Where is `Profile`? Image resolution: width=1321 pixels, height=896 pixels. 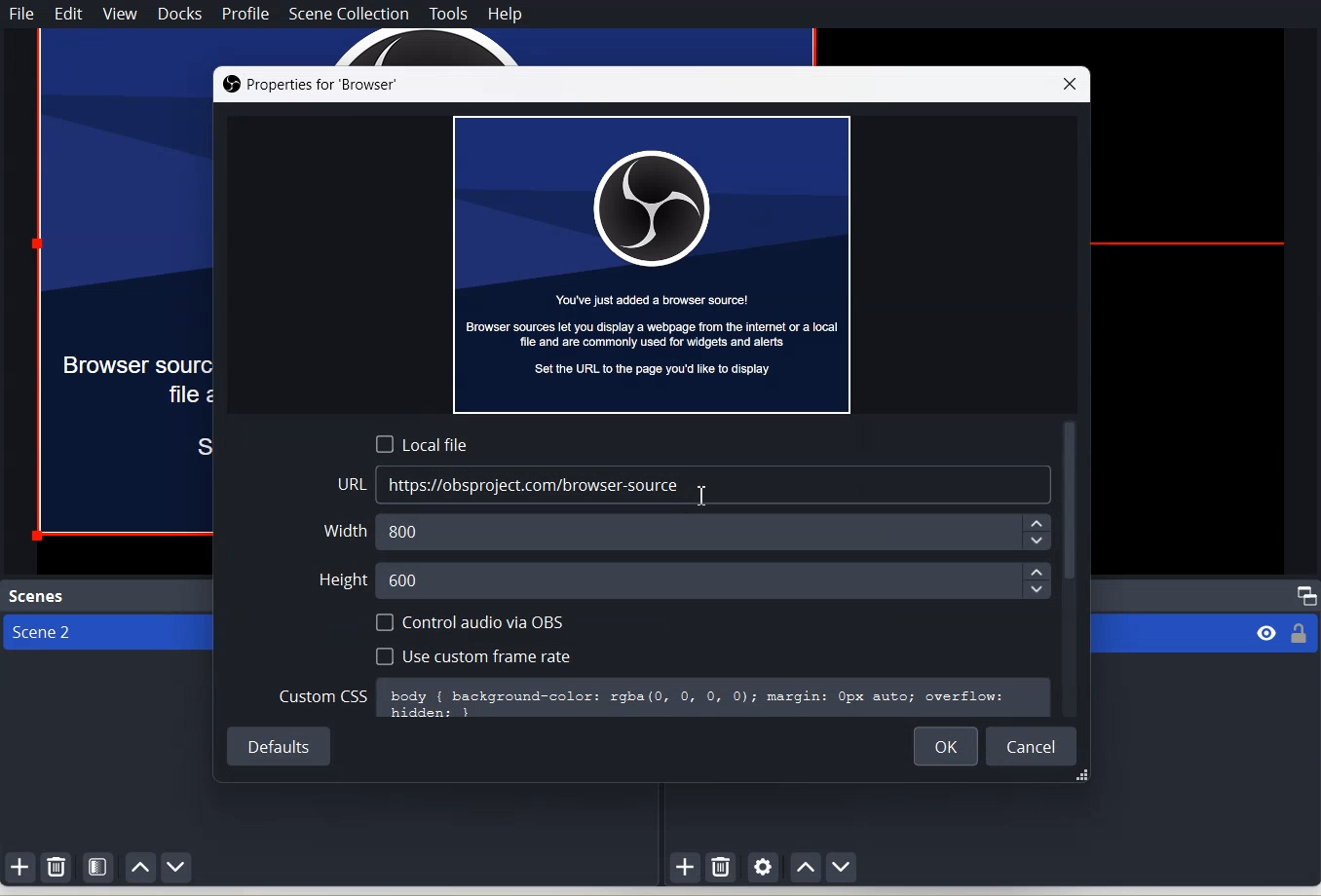 Profile is located at coordinates (245, 16).